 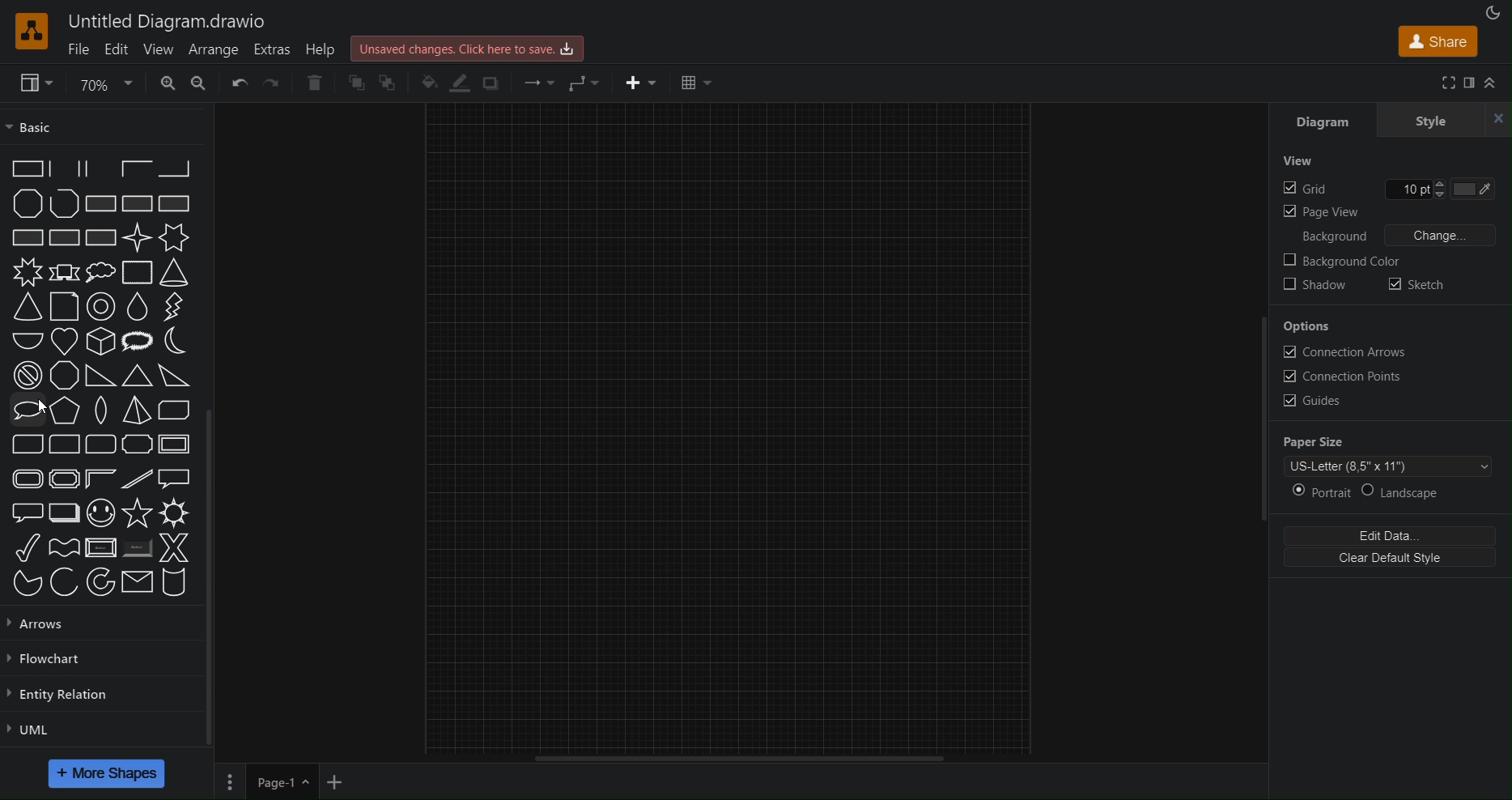 I want to click on Tick, so click(x=23, y=548).